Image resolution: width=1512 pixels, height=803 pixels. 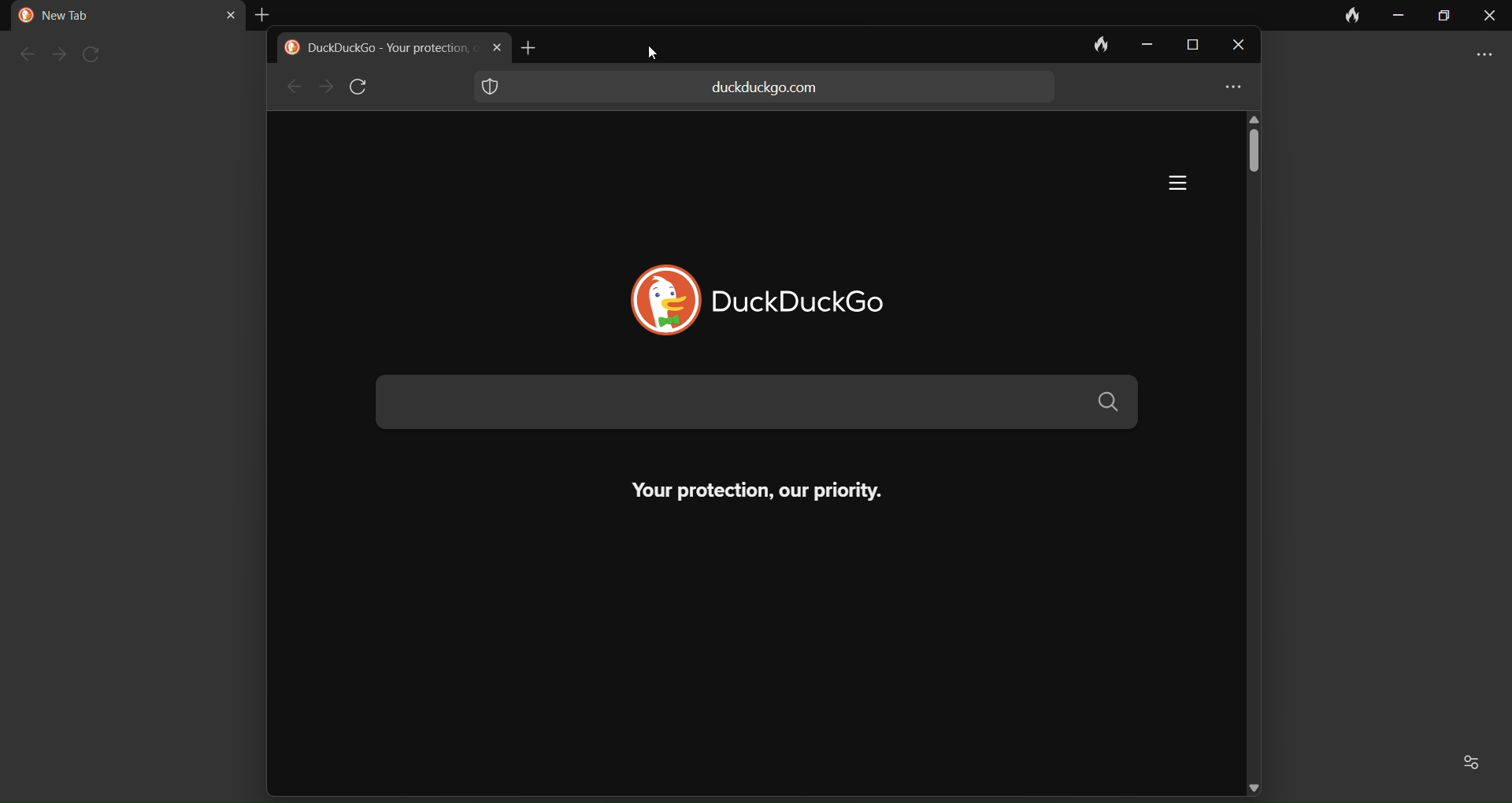 What do you see at coordinates (221, 15) in the screenshot?
I see `close tab` at bounding box center [221, 15].